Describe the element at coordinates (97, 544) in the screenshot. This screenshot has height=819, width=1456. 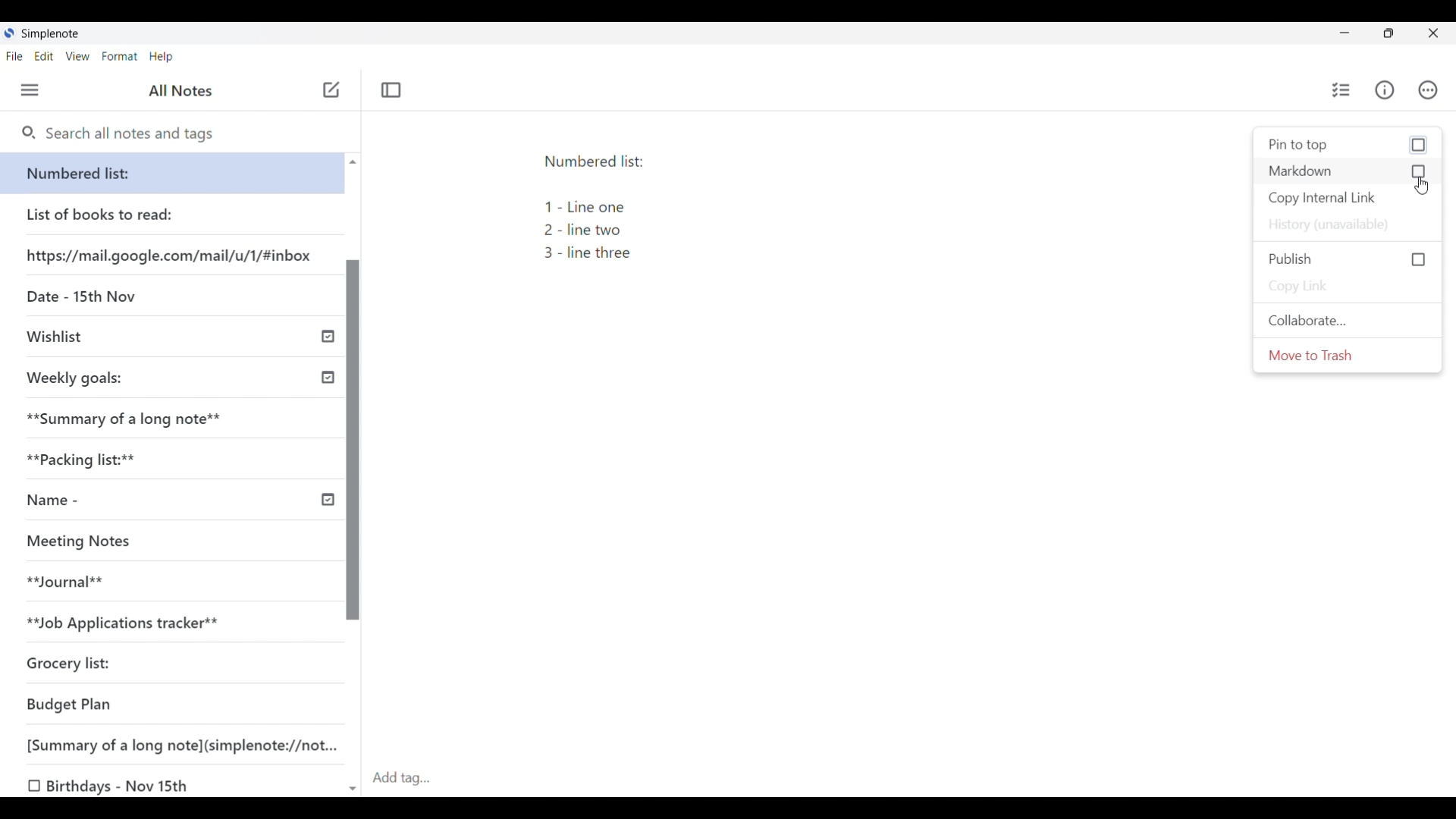
I see `Meeting Notes` at that location.